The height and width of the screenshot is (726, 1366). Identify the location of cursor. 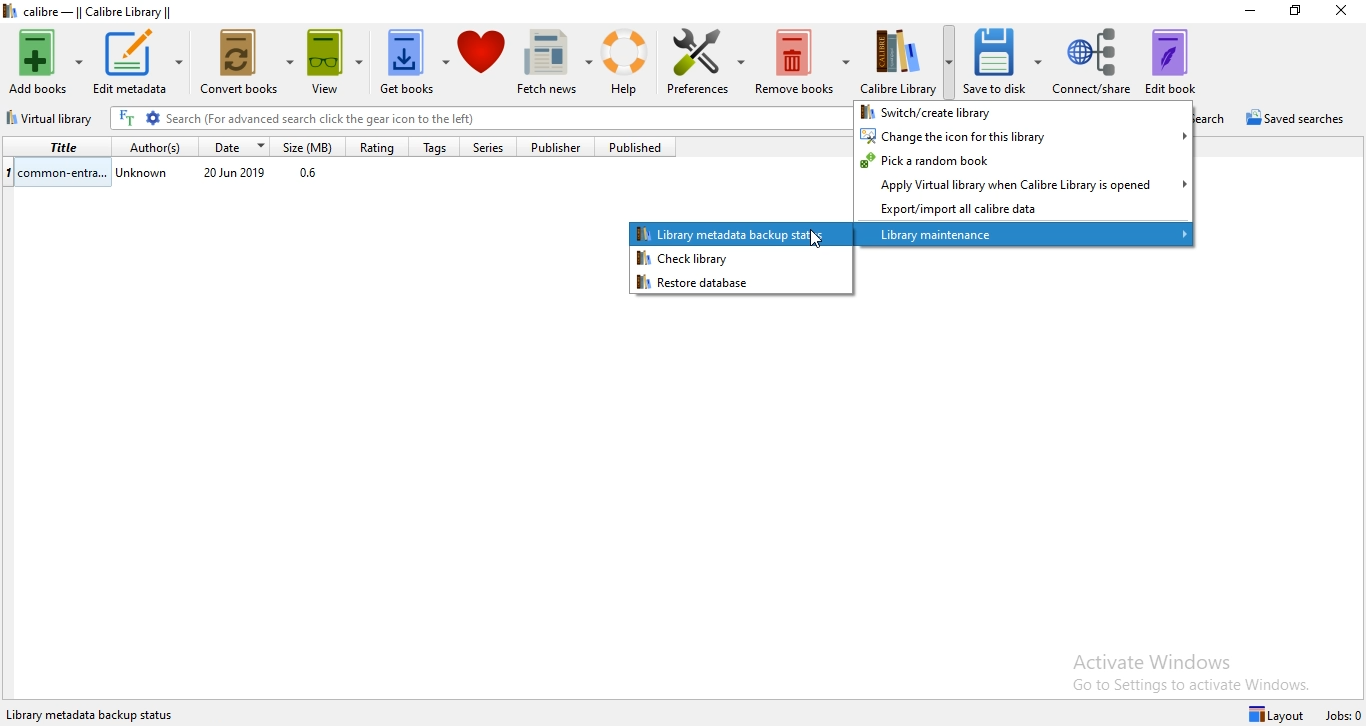
(816, 239).